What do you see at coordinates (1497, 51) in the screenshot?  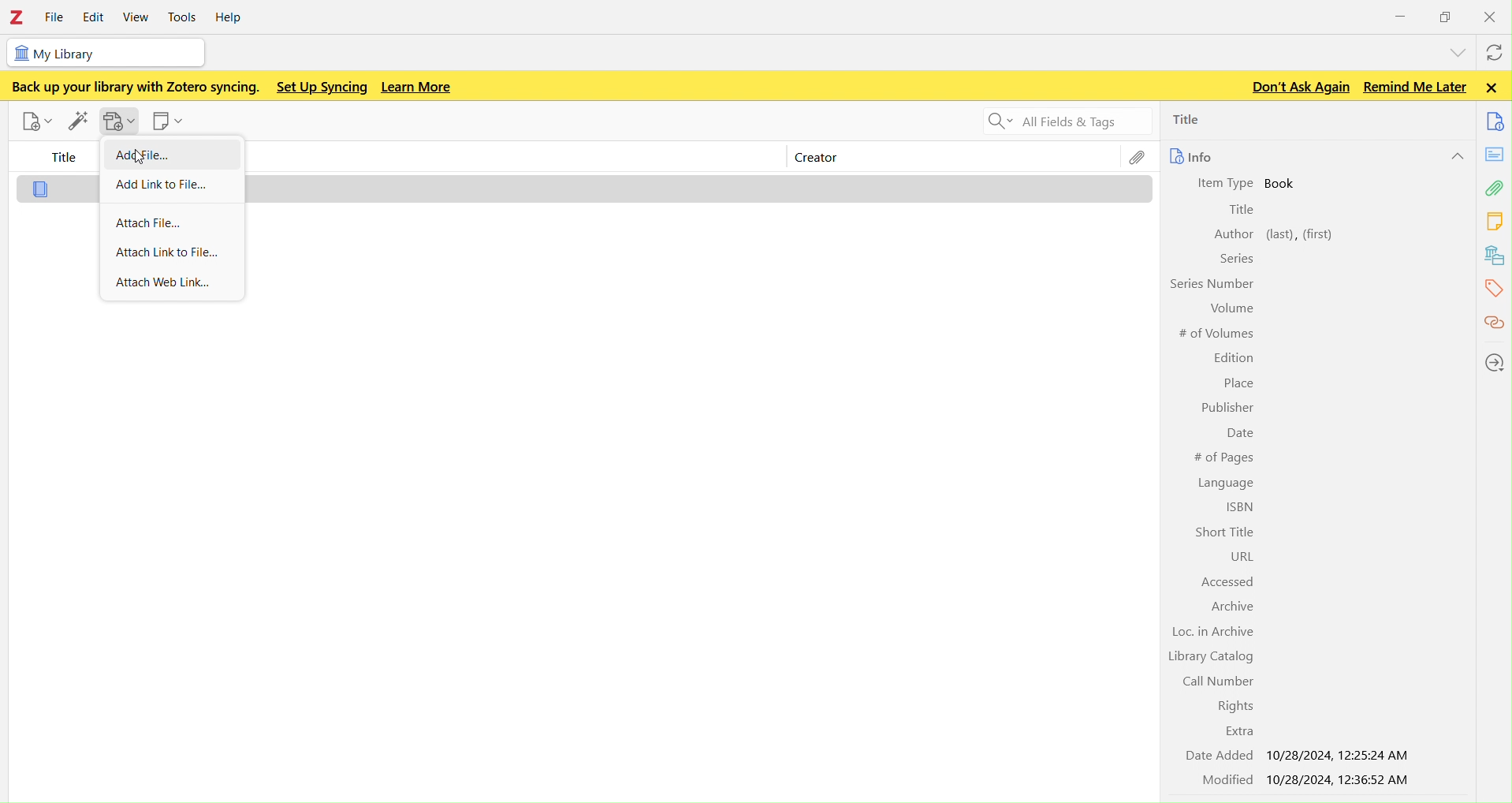 I see `syncwith zotero` at bounding box center [1497, 51].